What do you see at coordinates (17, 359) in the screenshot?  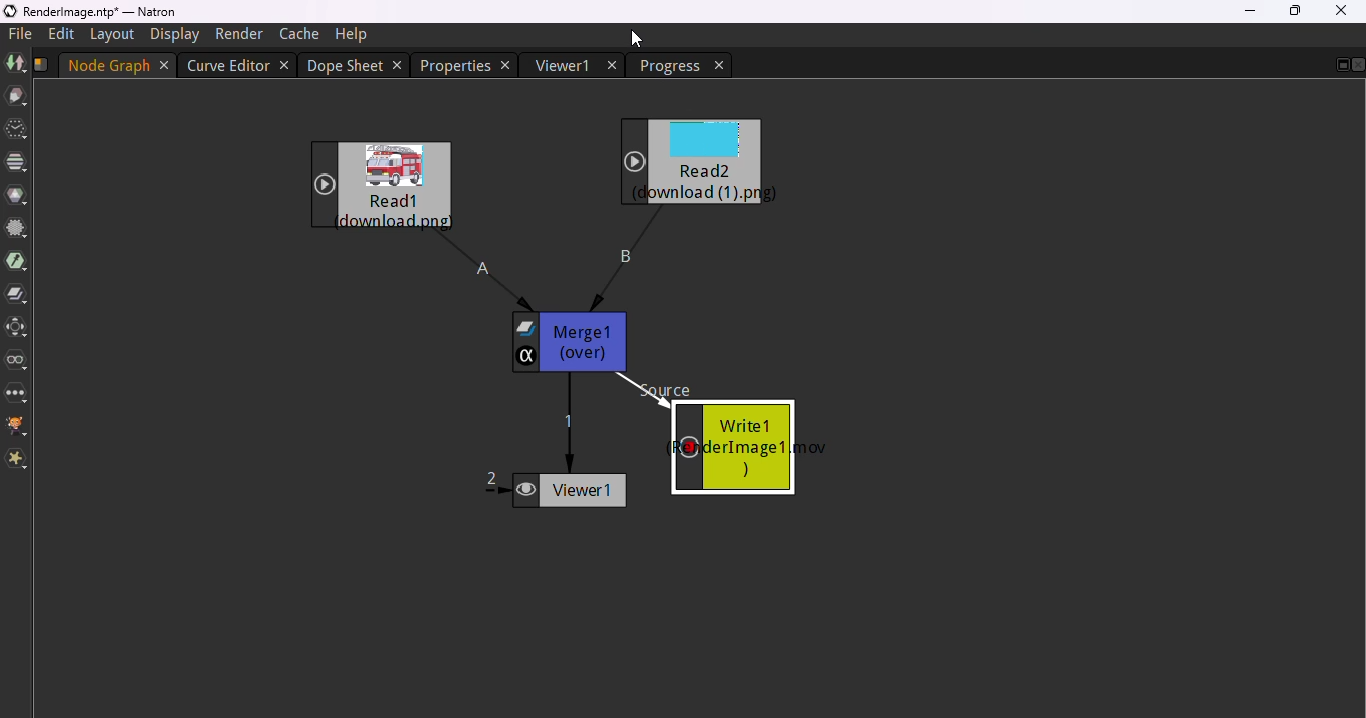 I see `views` at bounding box center [17, 359].